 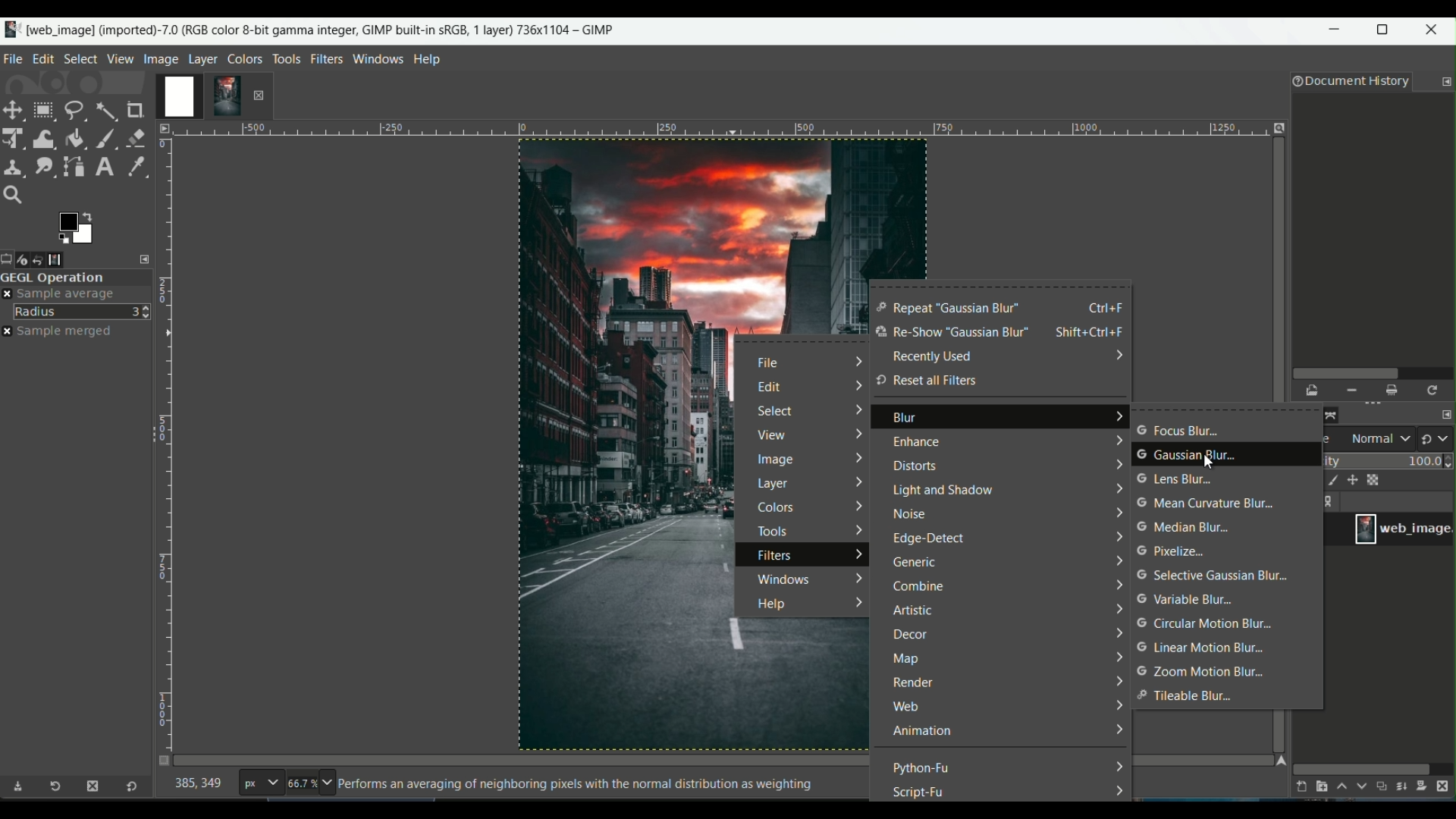 I want to click on tools, so click(x=771, y=531).